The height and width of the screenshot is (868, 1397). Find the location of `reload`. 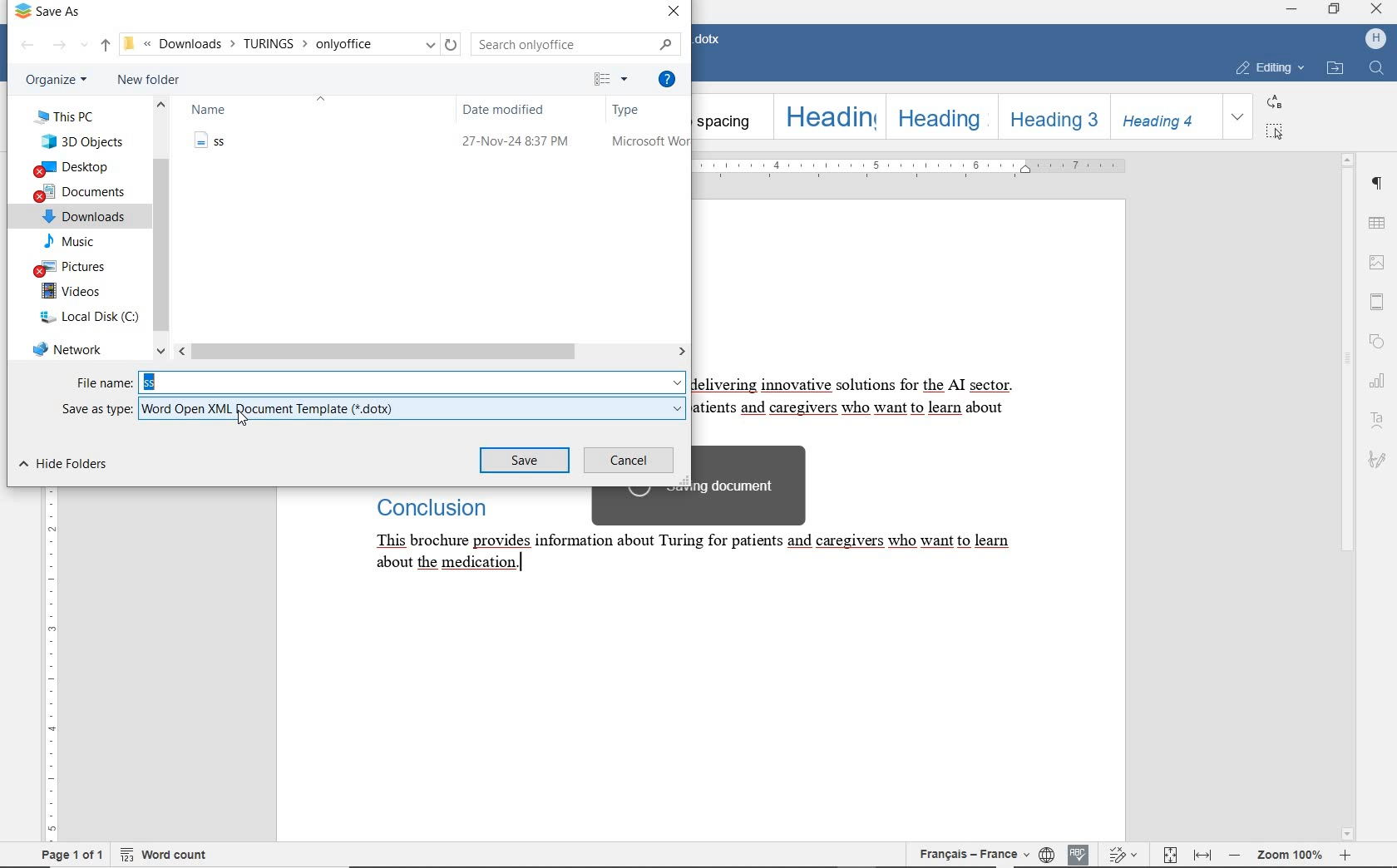

reload is located at coordinates (454, 45).